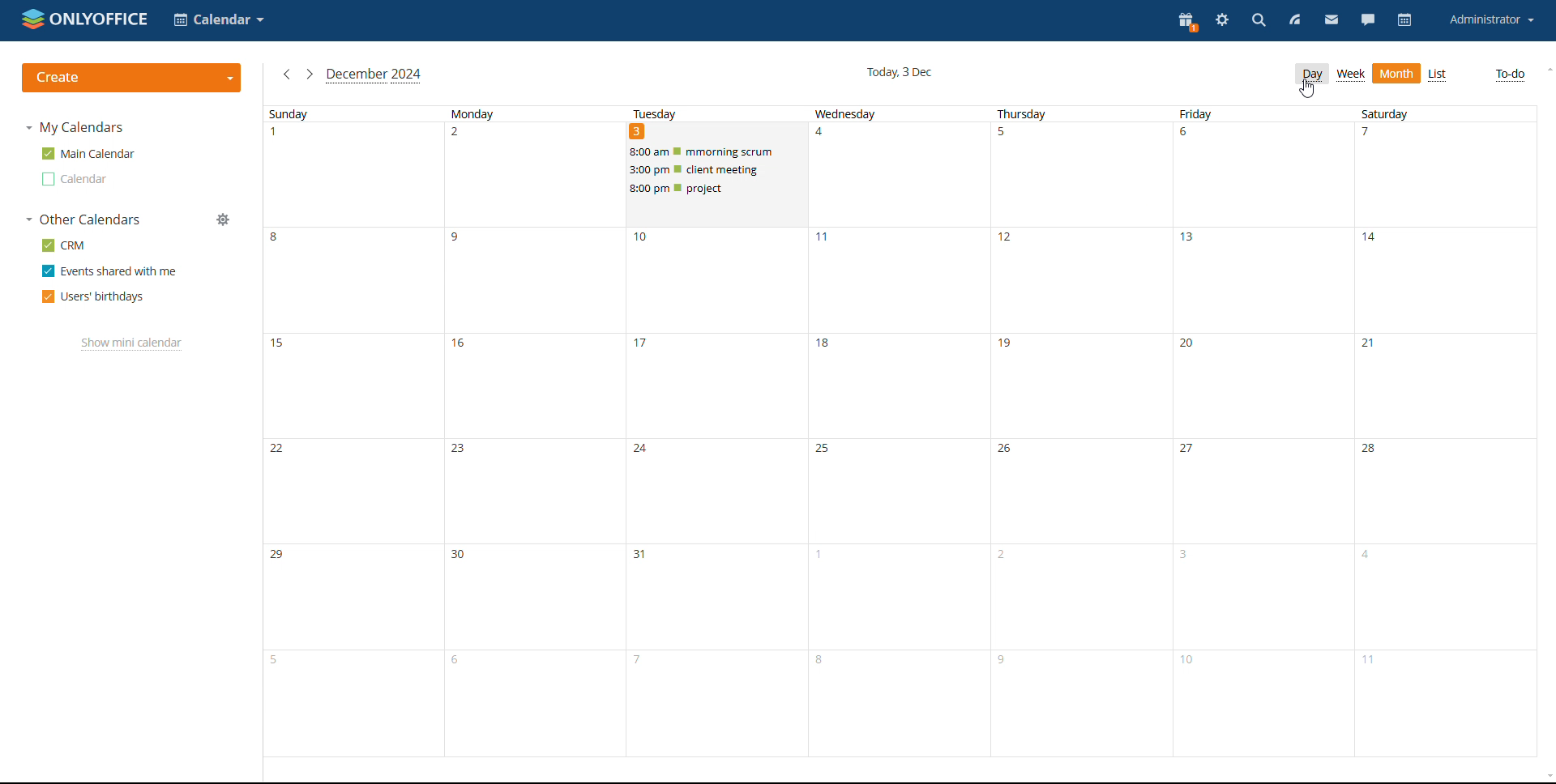 This screenshot has width=1556, height=784. What do you see at coordinates (310, 75) in the screenshot?
I see `next month` at bounding box center [310, 75].